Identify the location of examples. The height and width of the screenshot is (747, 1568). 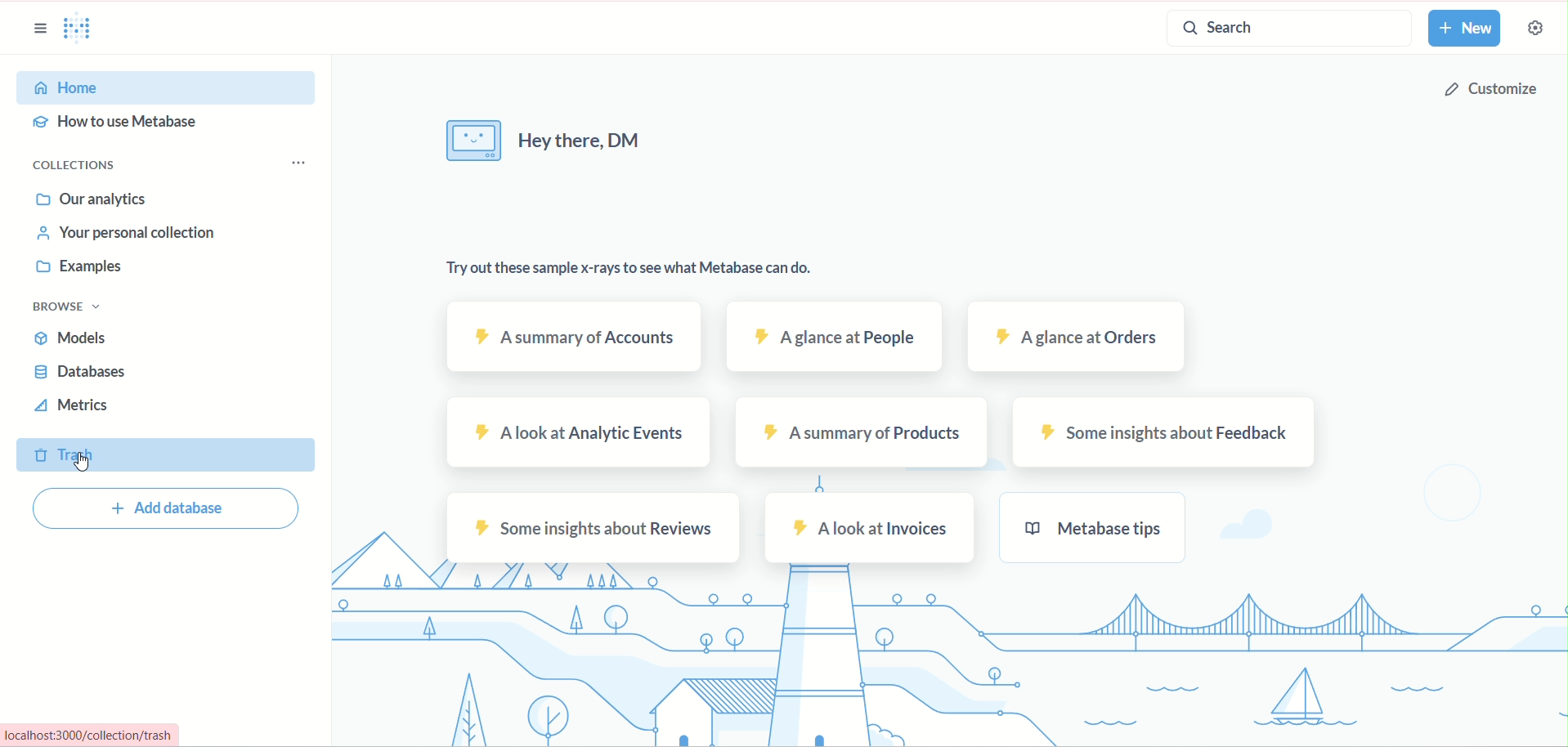
(80, 268).